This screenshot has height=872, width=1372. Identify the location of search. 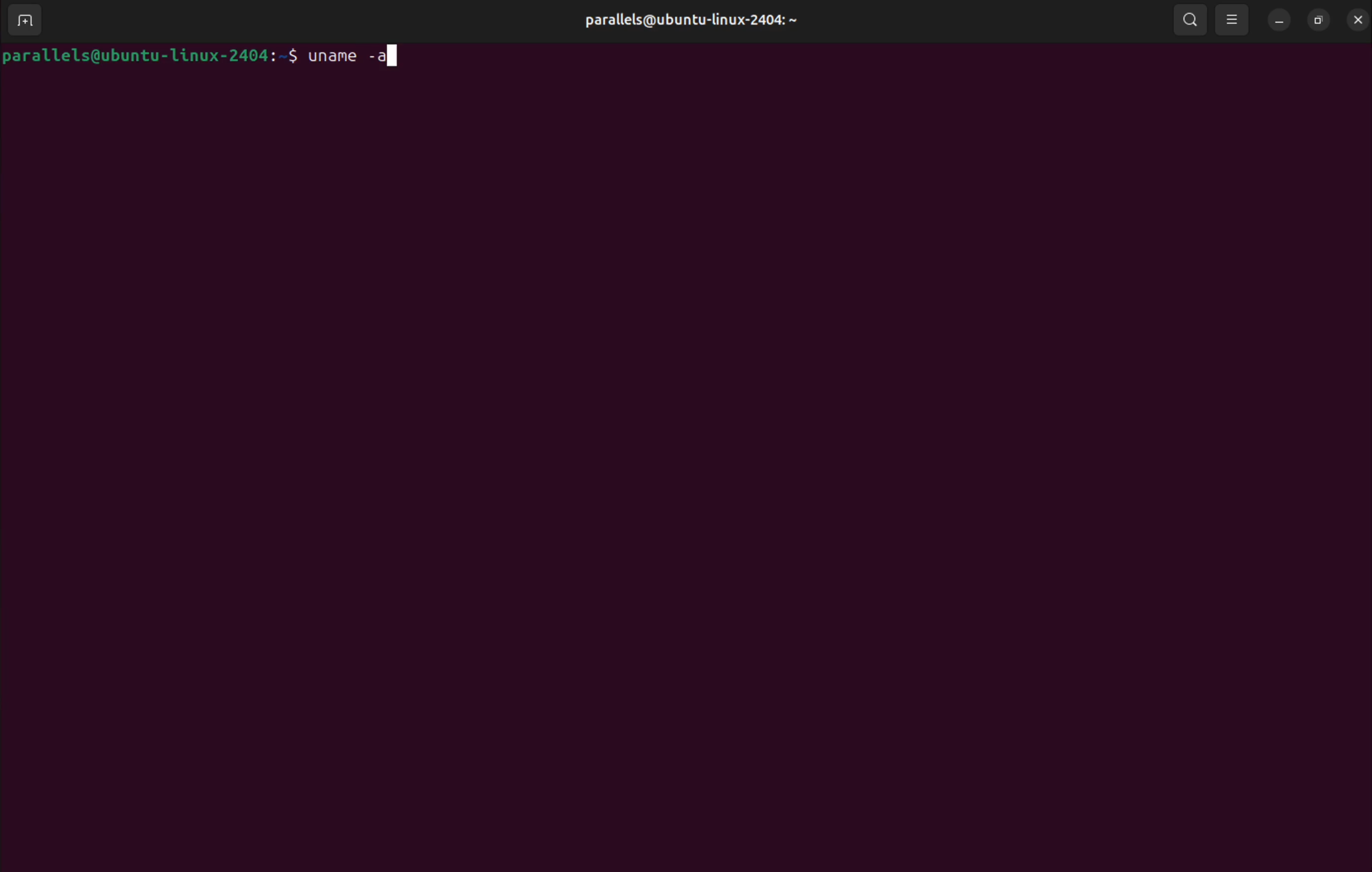
(1190, 21).